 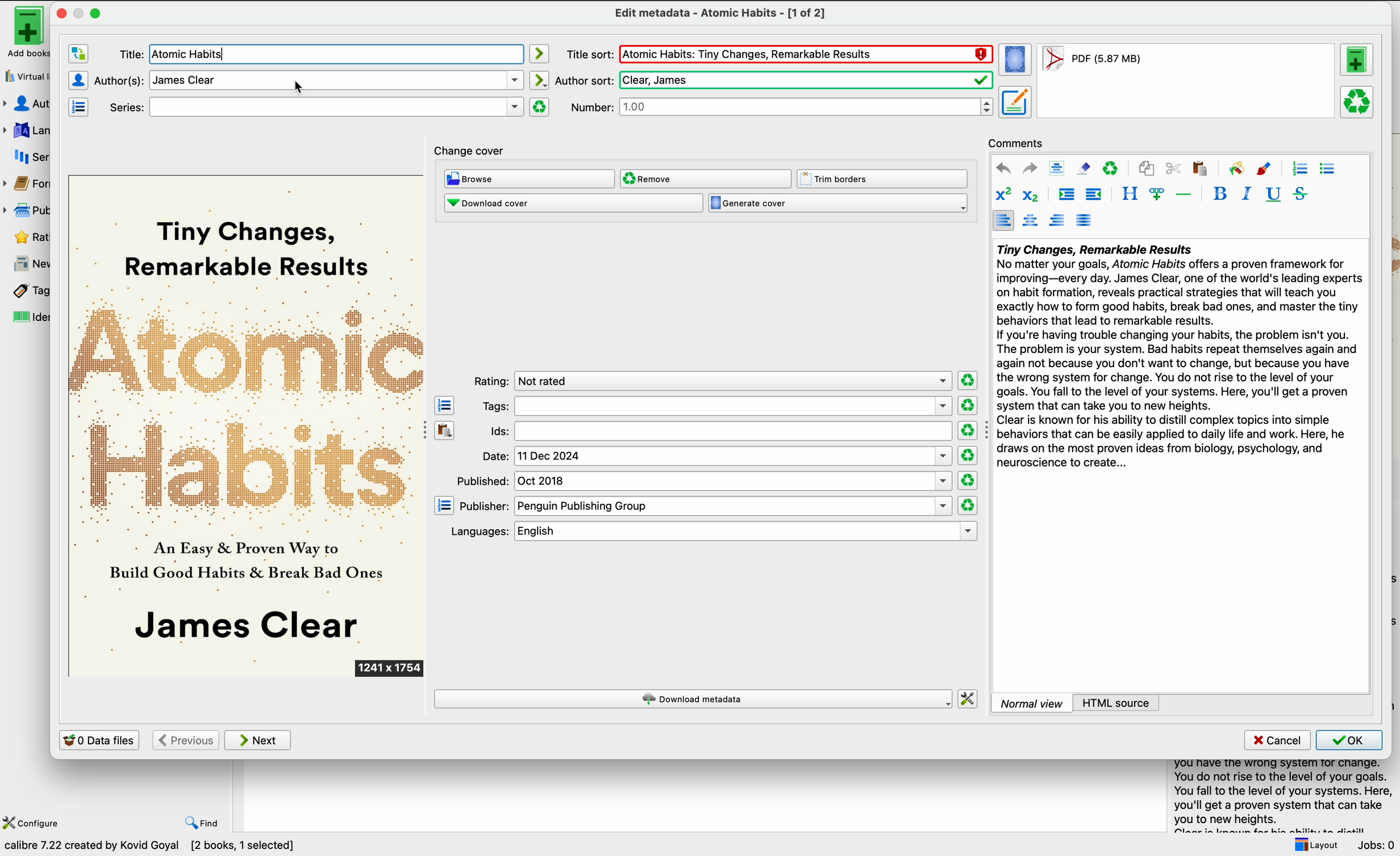 What do you see at coordinates (966, 430) in the screenshot?
I see `clear rating` at bounding box center [966, 430].